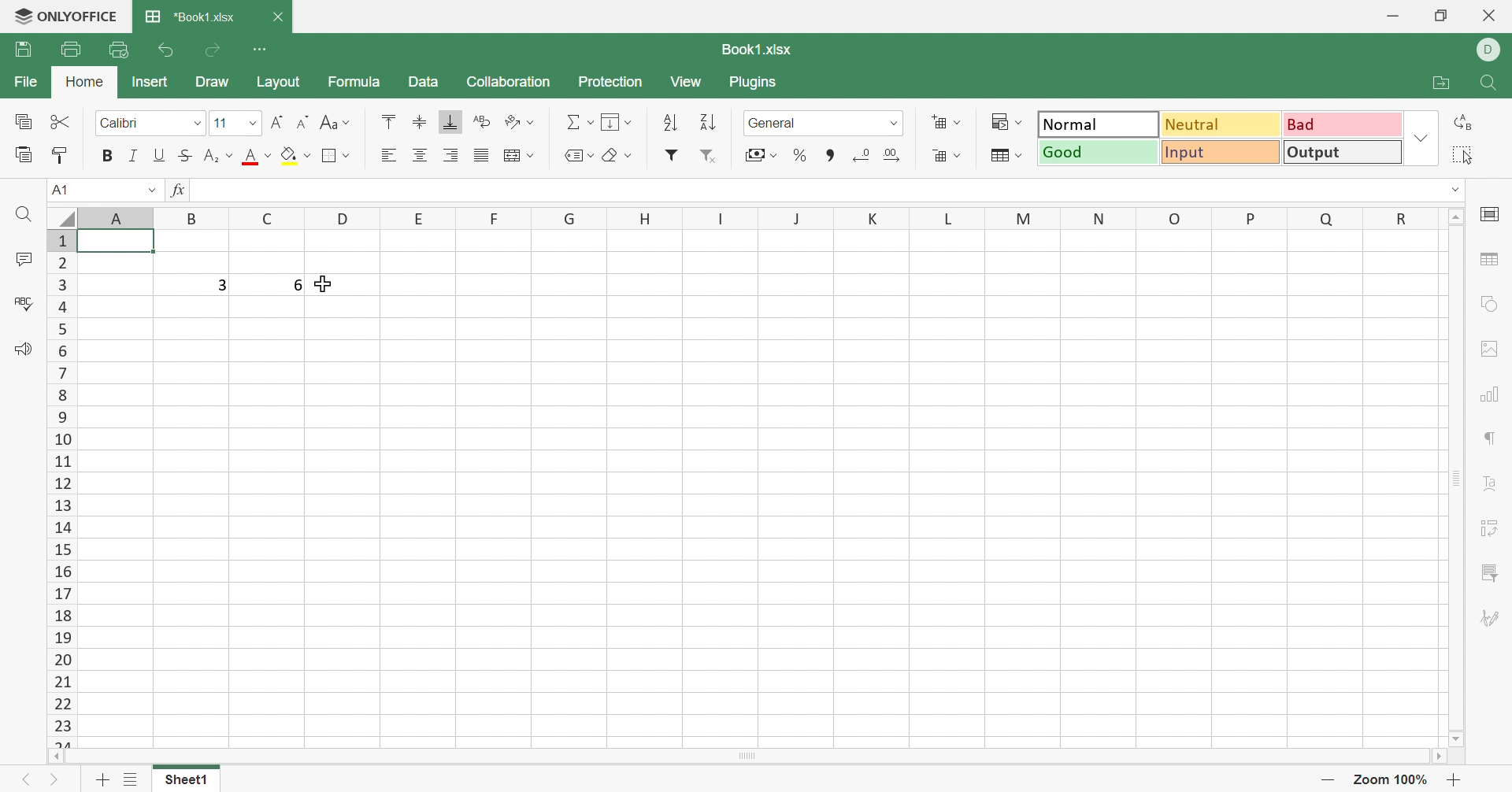 The image size is (1512, 792). Describe the element at coordinates (478, 122) in the screenshot. I see `Wrap text` at that location.